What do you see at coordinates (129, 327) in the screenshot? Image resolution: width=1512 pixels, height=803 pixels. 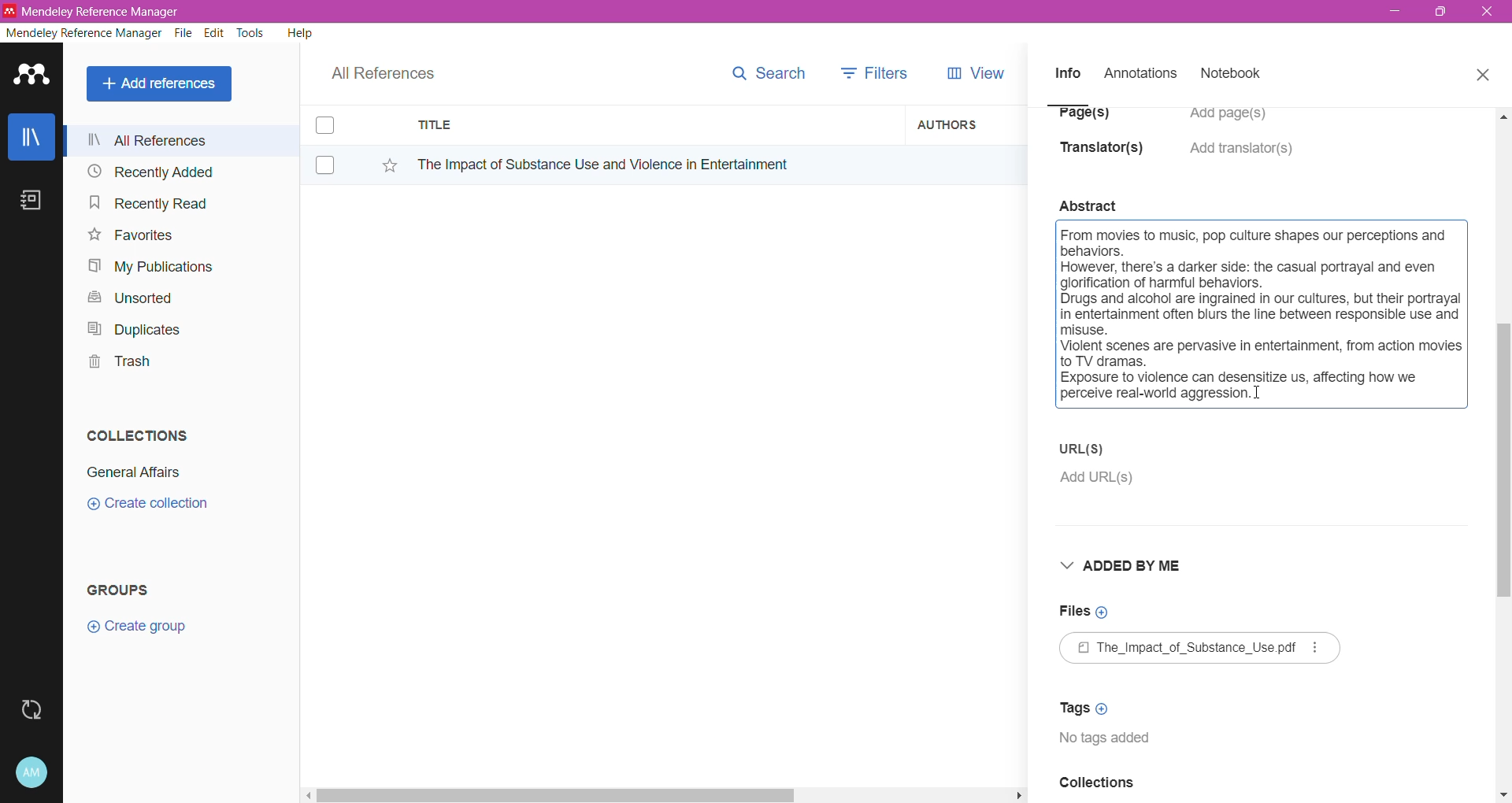 I see `Duplicates` at bounding box center [129, 327].